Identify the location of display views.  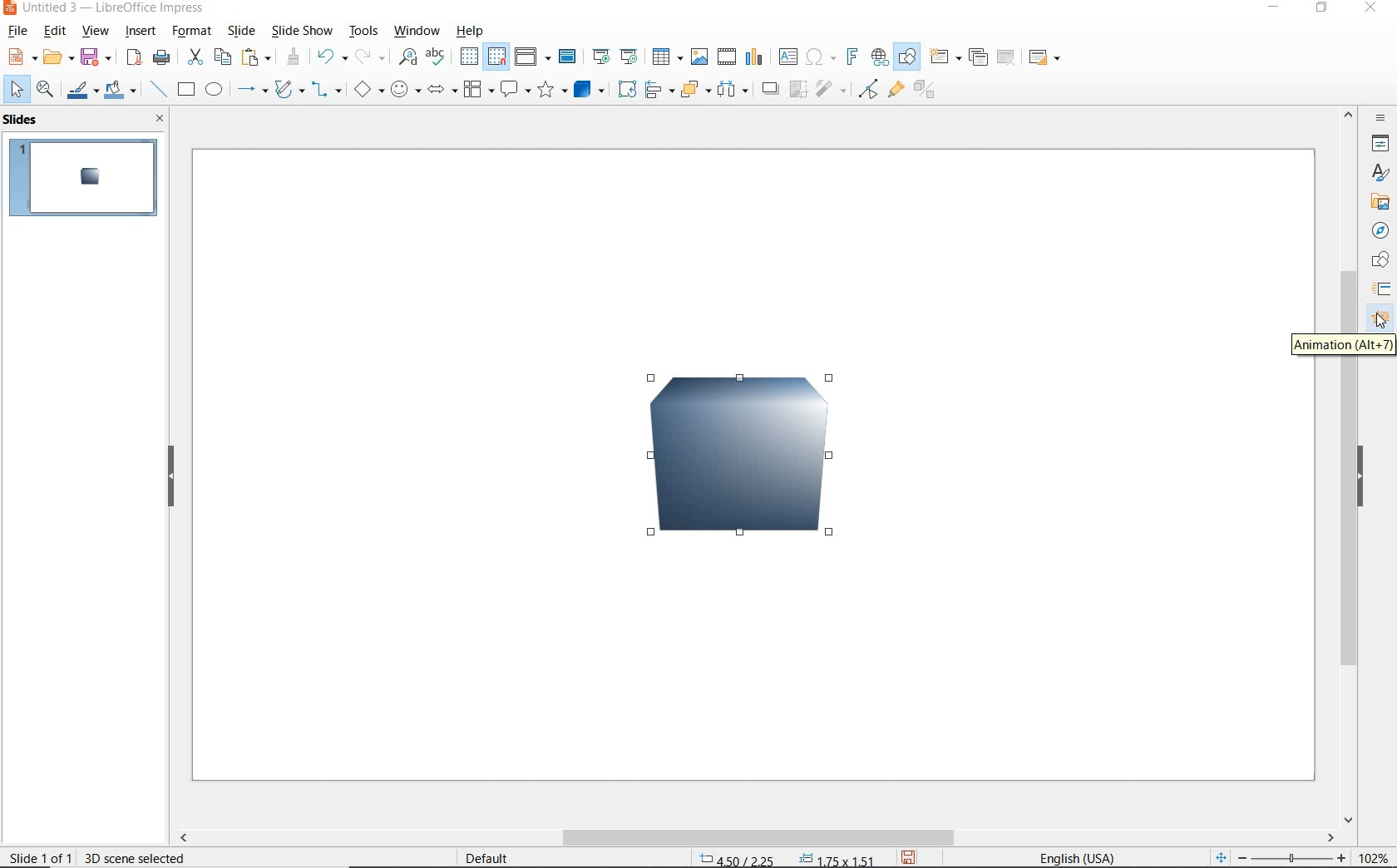
(533, 57).